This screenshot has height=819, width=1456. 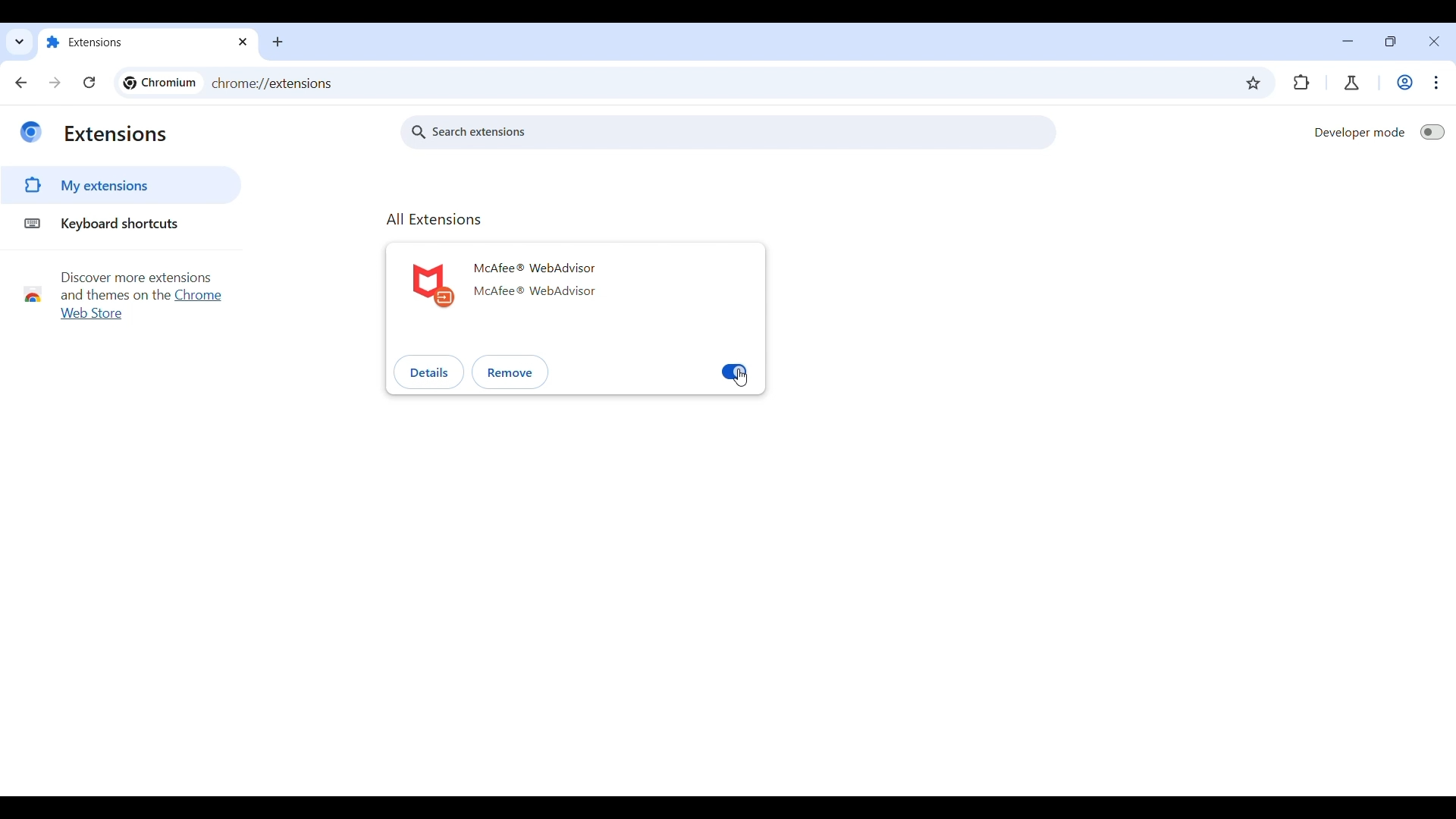 What do you see at coordinates (89, 82) in the screenshot?
I see `Reload page` at bounding box center [89, 82].